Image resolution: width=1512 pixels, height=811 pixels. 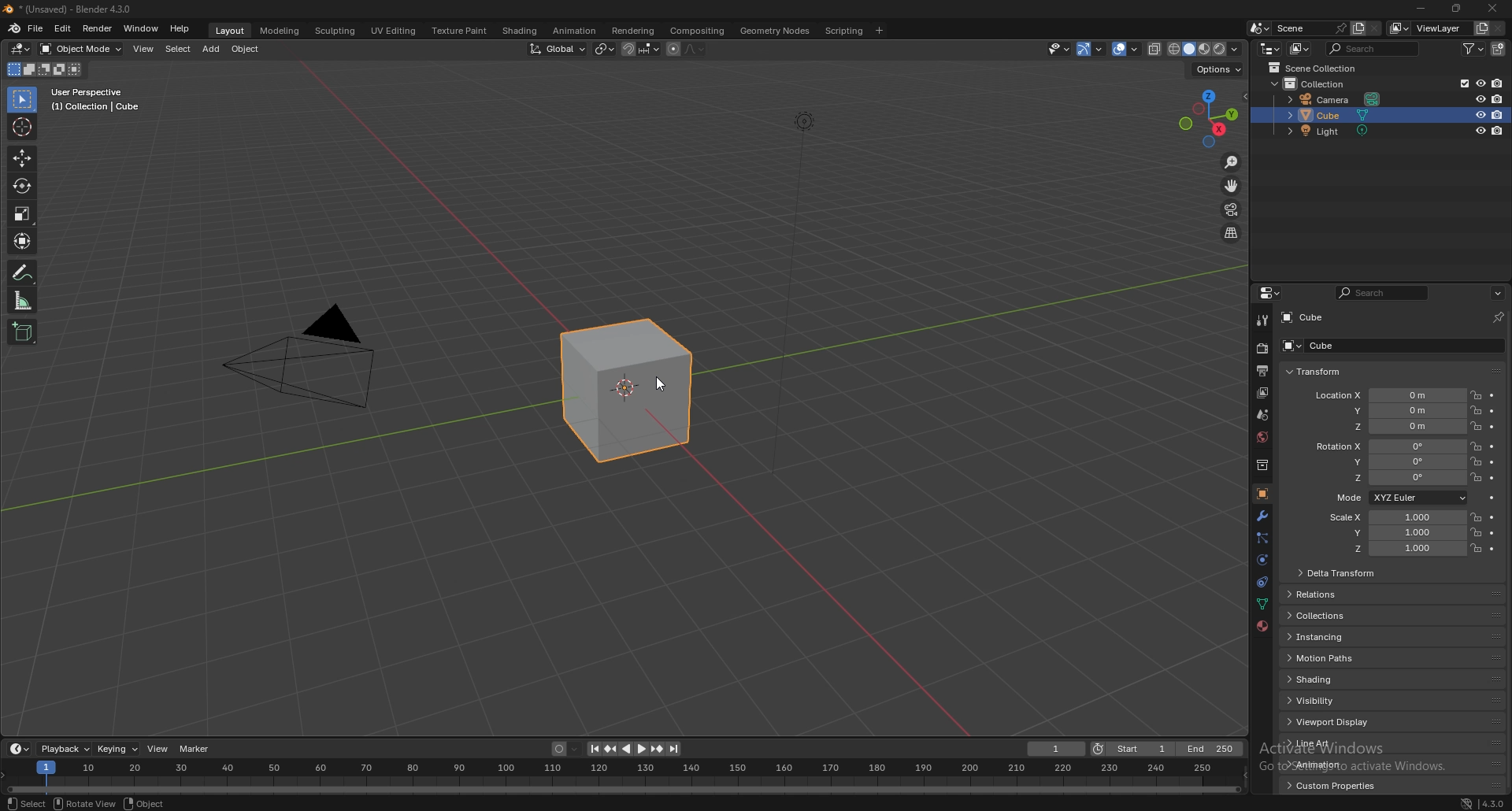 I want to click on zoom, so click(x=1232, y=162).